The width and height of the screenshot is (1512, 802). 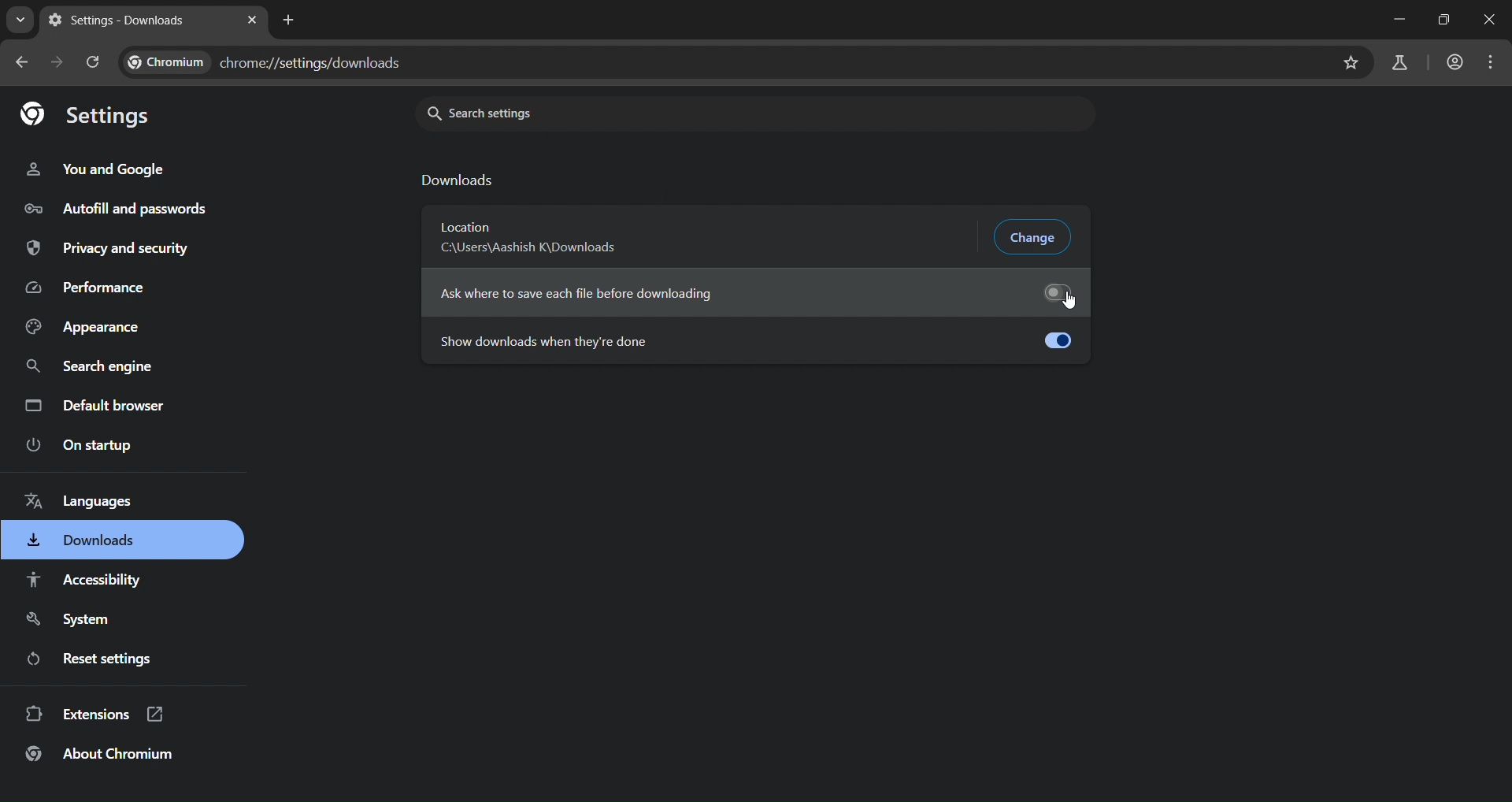 I want to click on menu, so click(x=1495, y=60).